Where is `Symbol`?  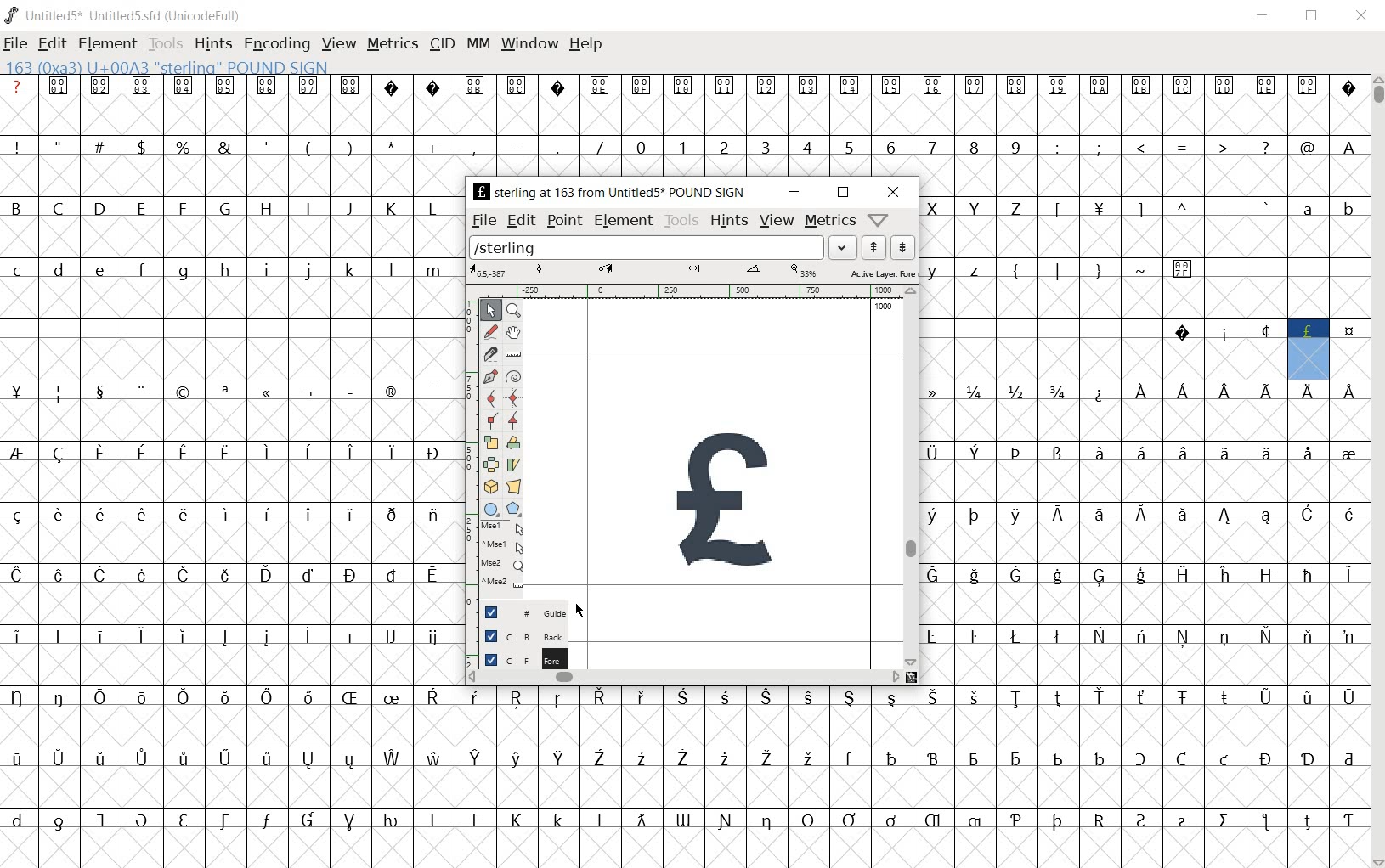
Symbol is located at coordinates (143, 84).